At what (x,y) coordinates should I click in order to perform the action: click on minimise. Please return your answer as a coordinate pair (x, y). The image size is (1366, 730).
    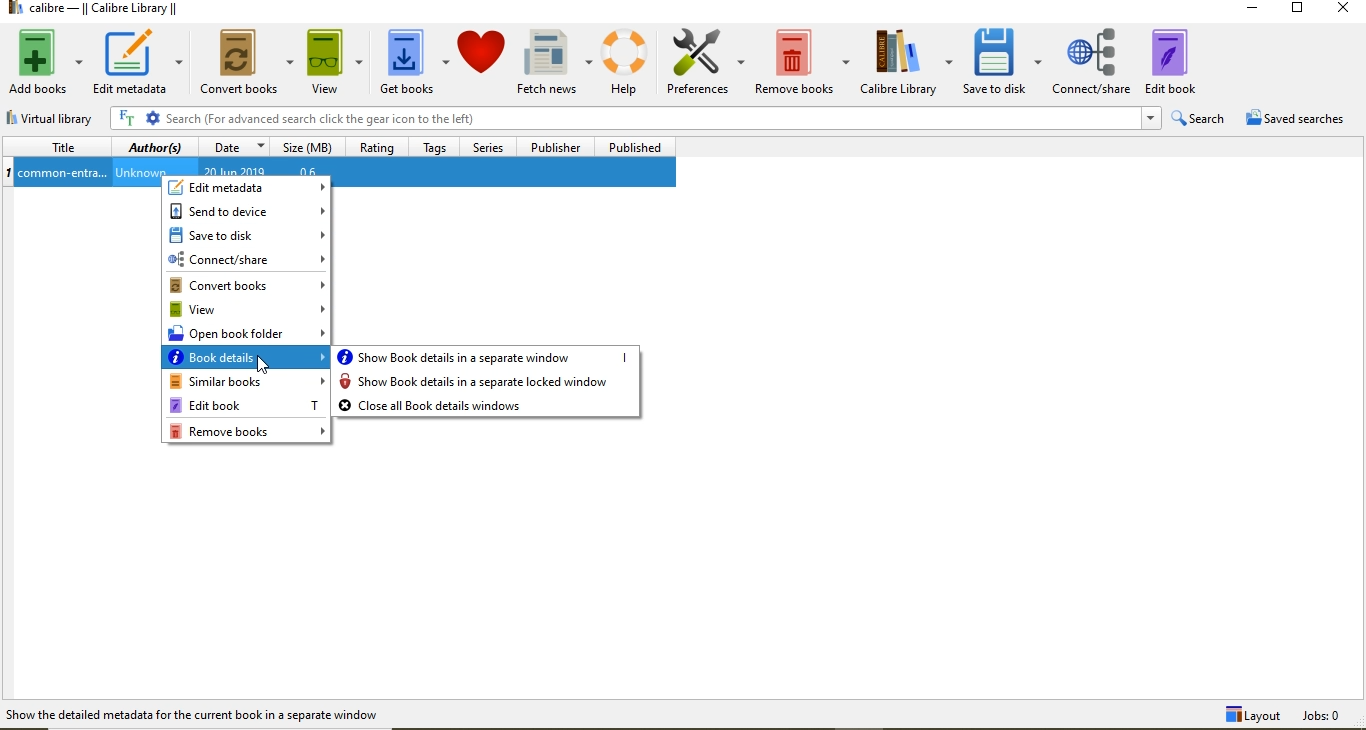
    Looking at the image, I should click on (1258, 11).